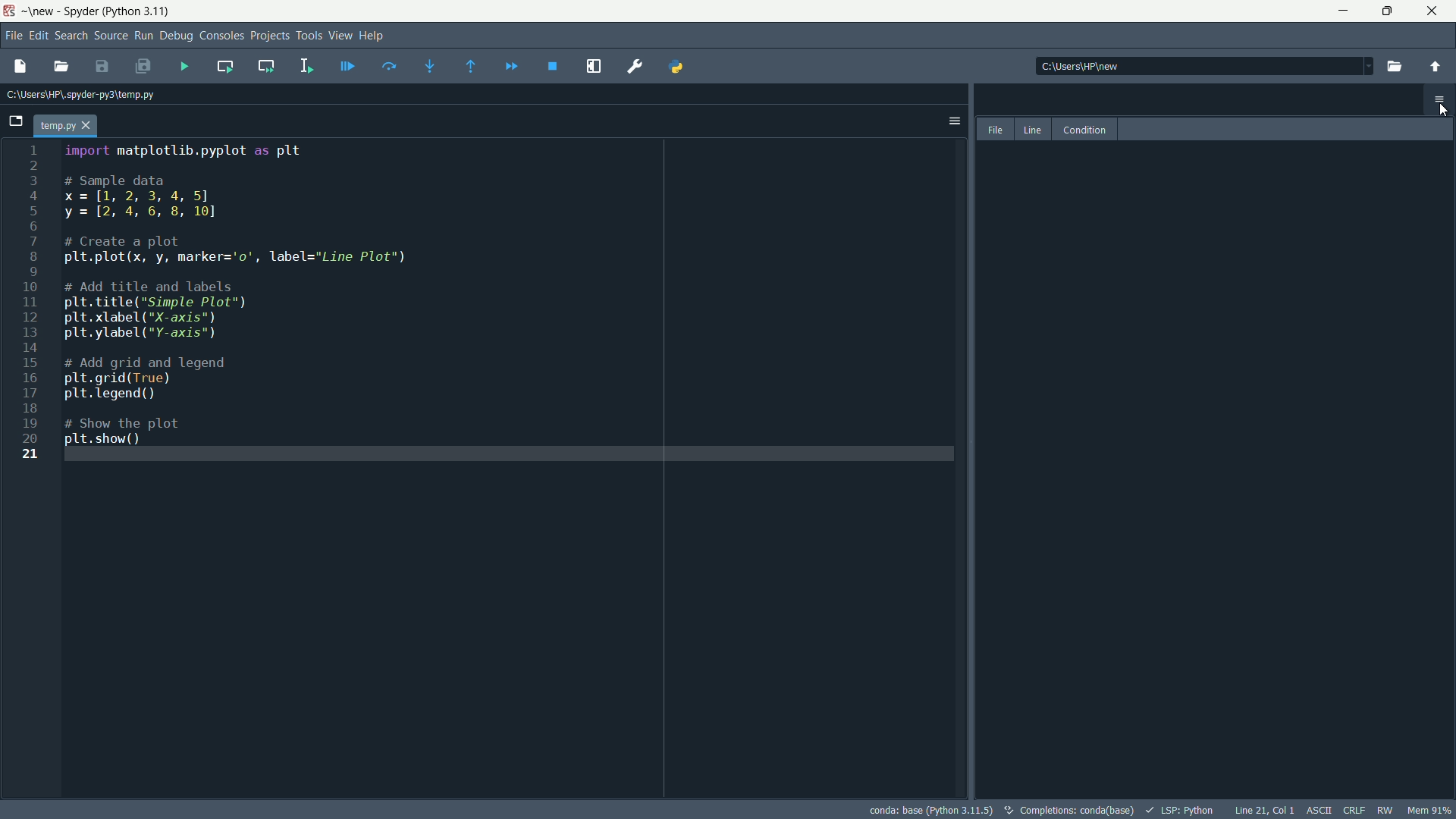 This screenshot has height=819, width=1456. Describe the element at coordinates (17, 121) in the screenshot. I see `browse tab` at that location.